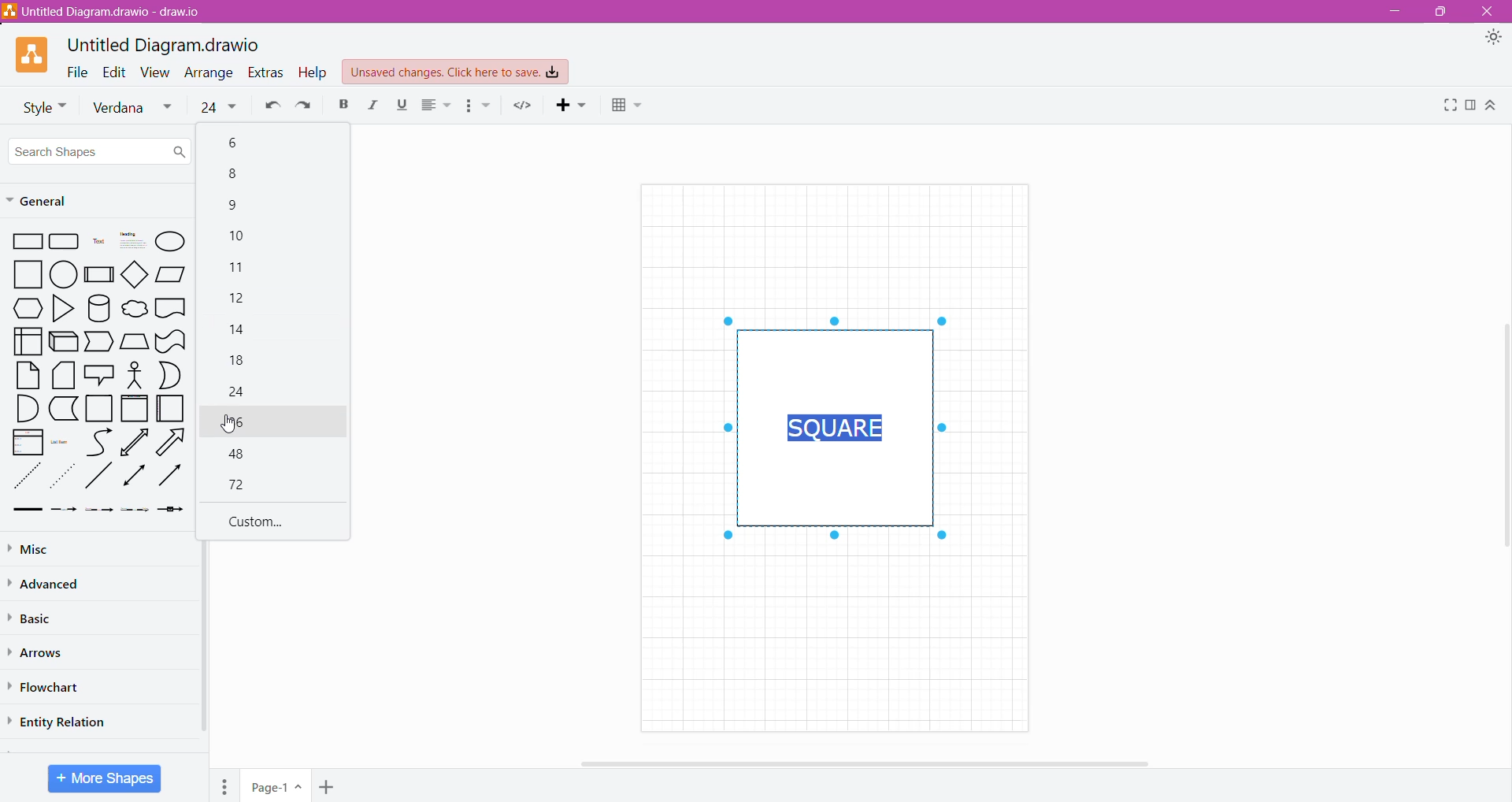 The image size is (1512, 802). I want to click on File, so click(78, 71).